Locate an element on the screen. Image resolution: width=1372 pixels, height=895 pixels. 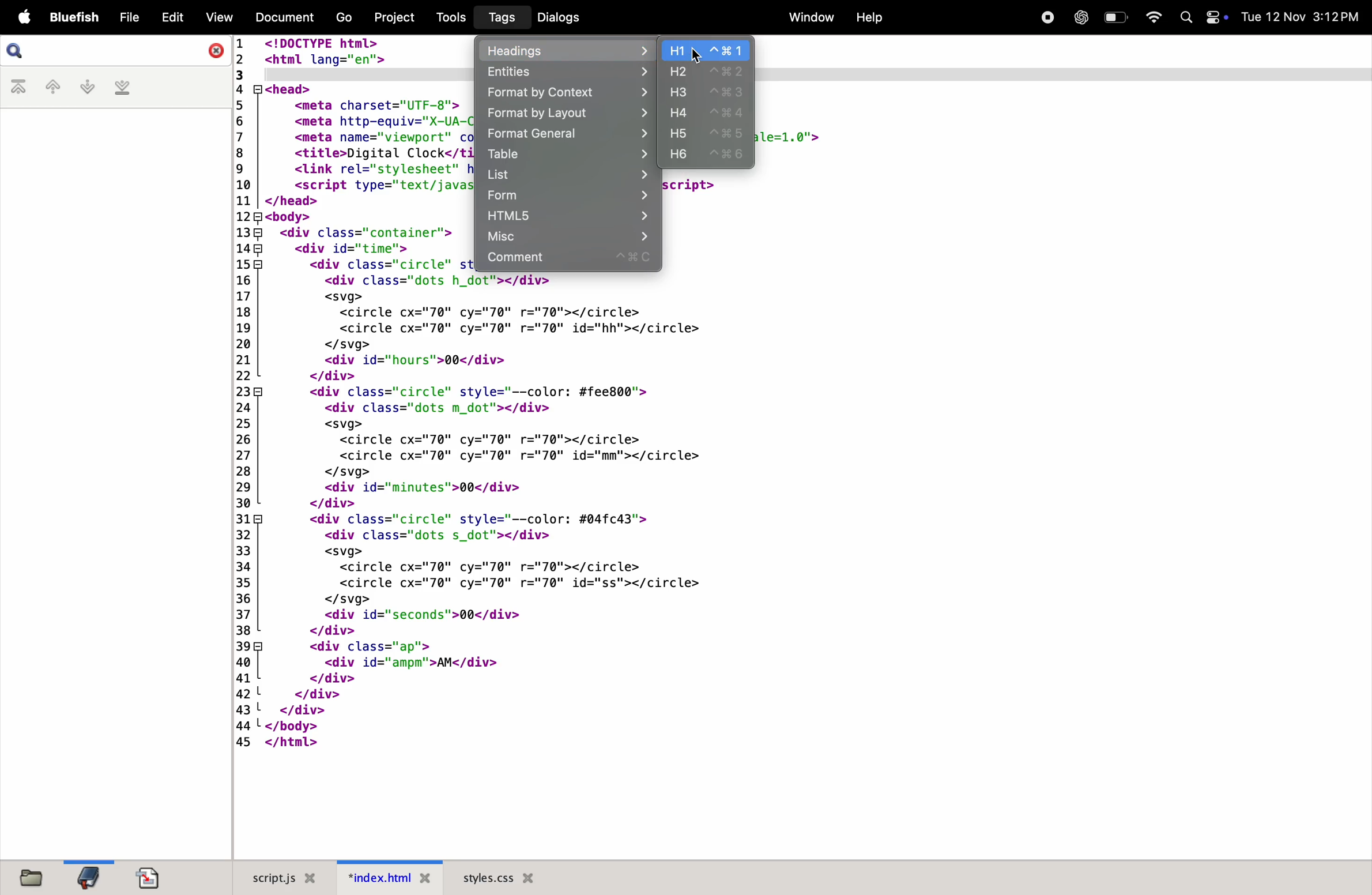
dialogs is located at coordinates (557, 17).